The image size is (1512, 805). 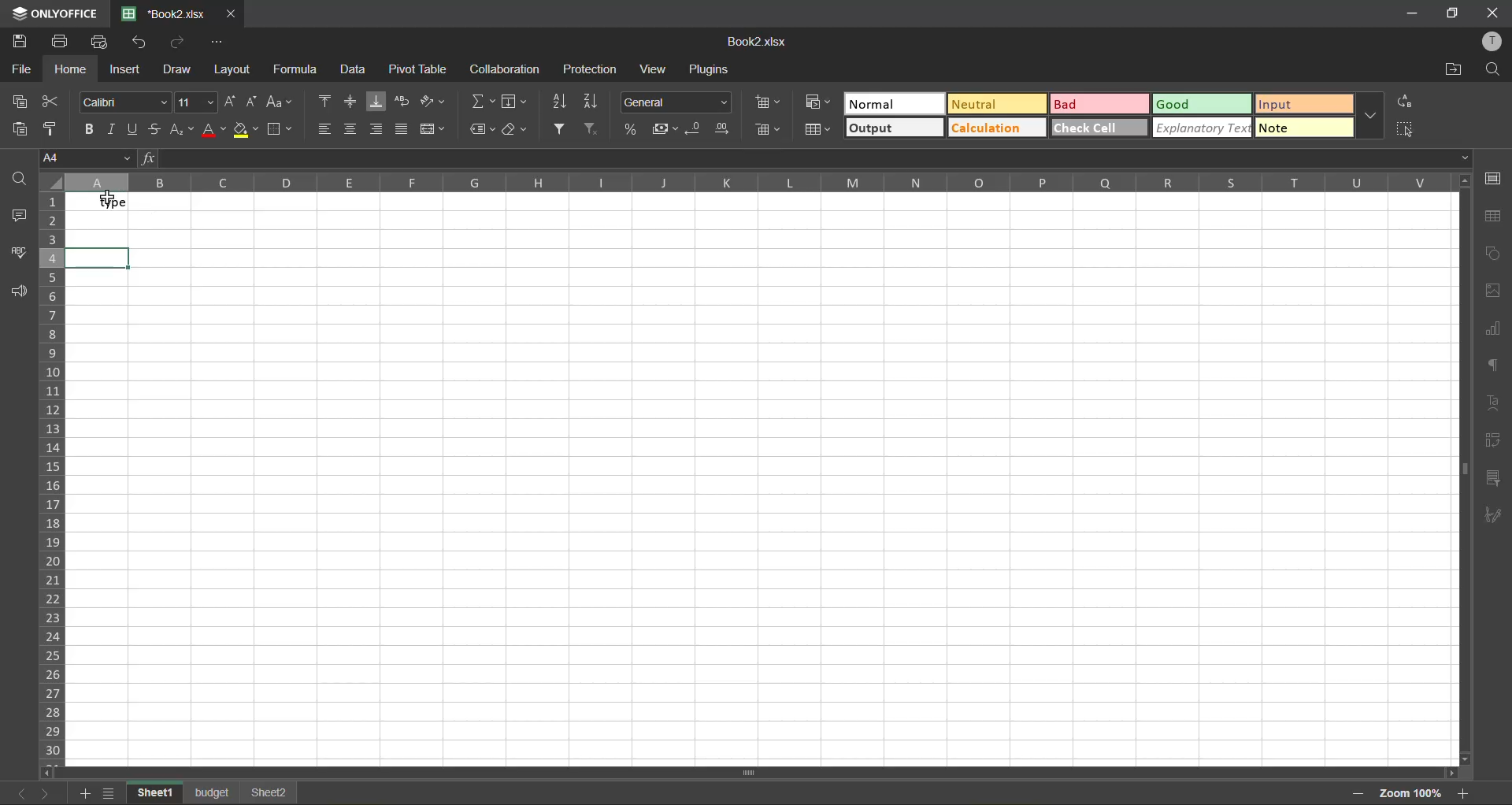 What do you see at coordinates (1492, 481) in the screenshot?
I see `slicer` at bounding box center [1492, 481].